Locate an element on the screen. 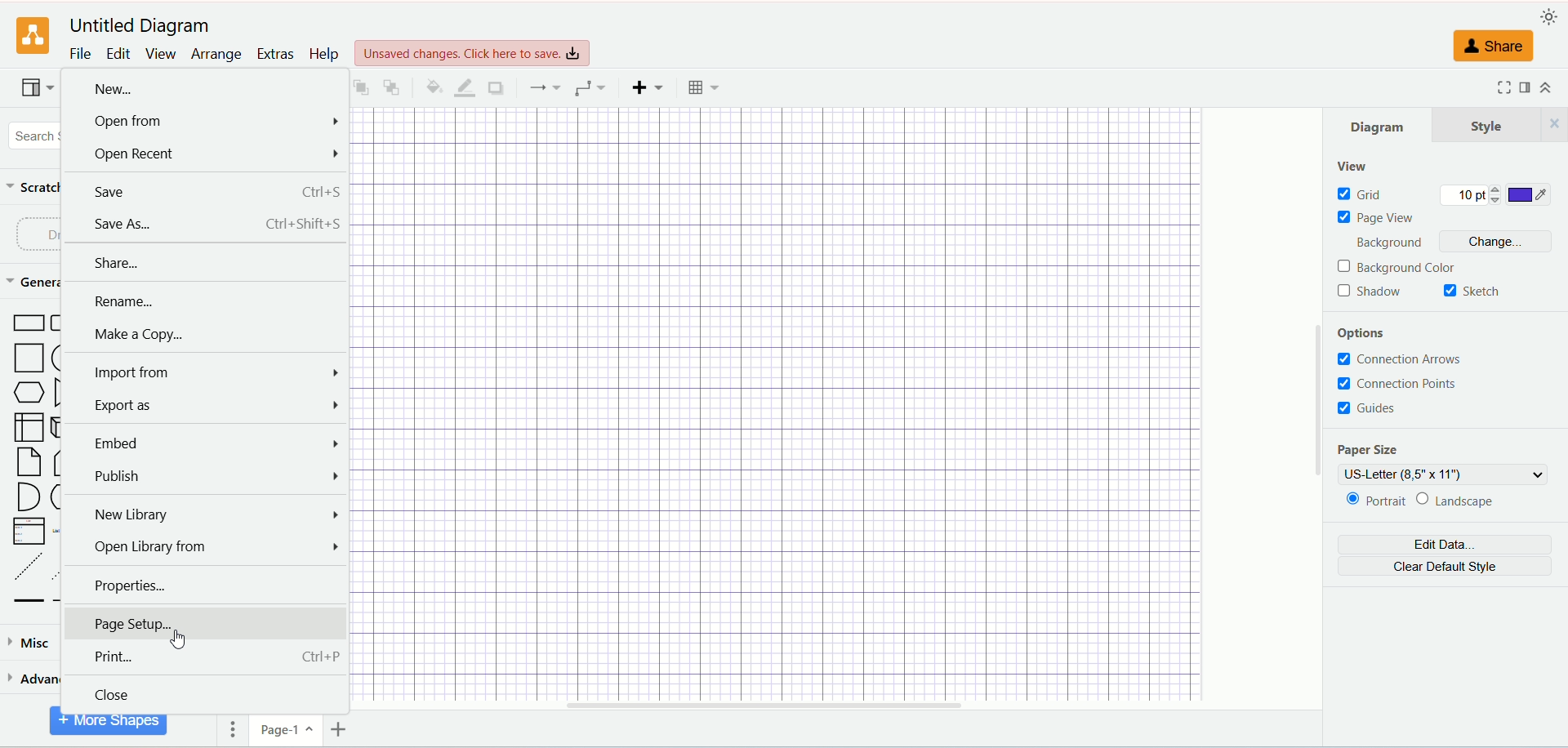  paper size is located at coordinates (1366, 451).